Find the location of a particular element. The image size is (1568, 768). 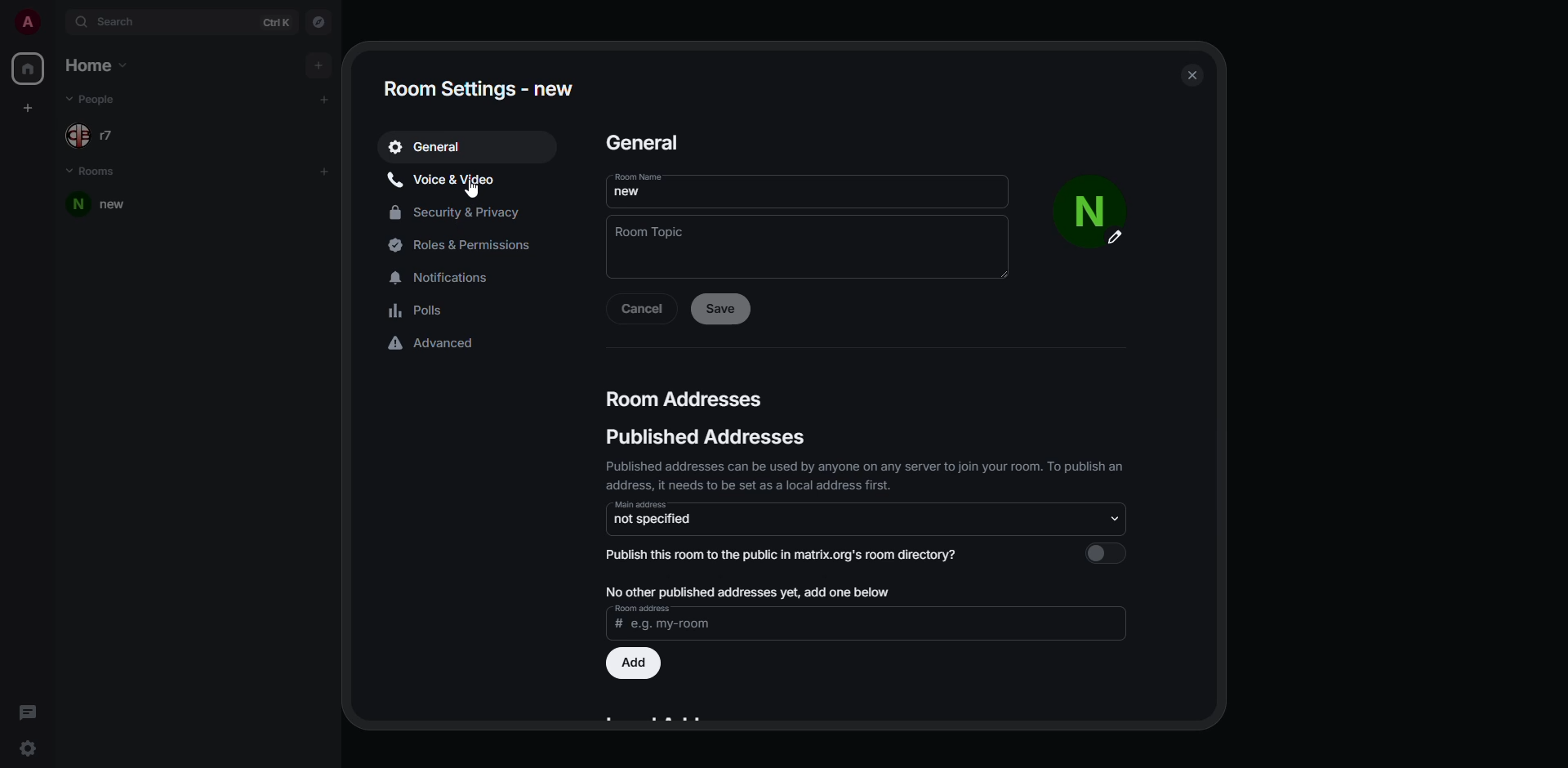

threads is located at coordinates (28, 711).